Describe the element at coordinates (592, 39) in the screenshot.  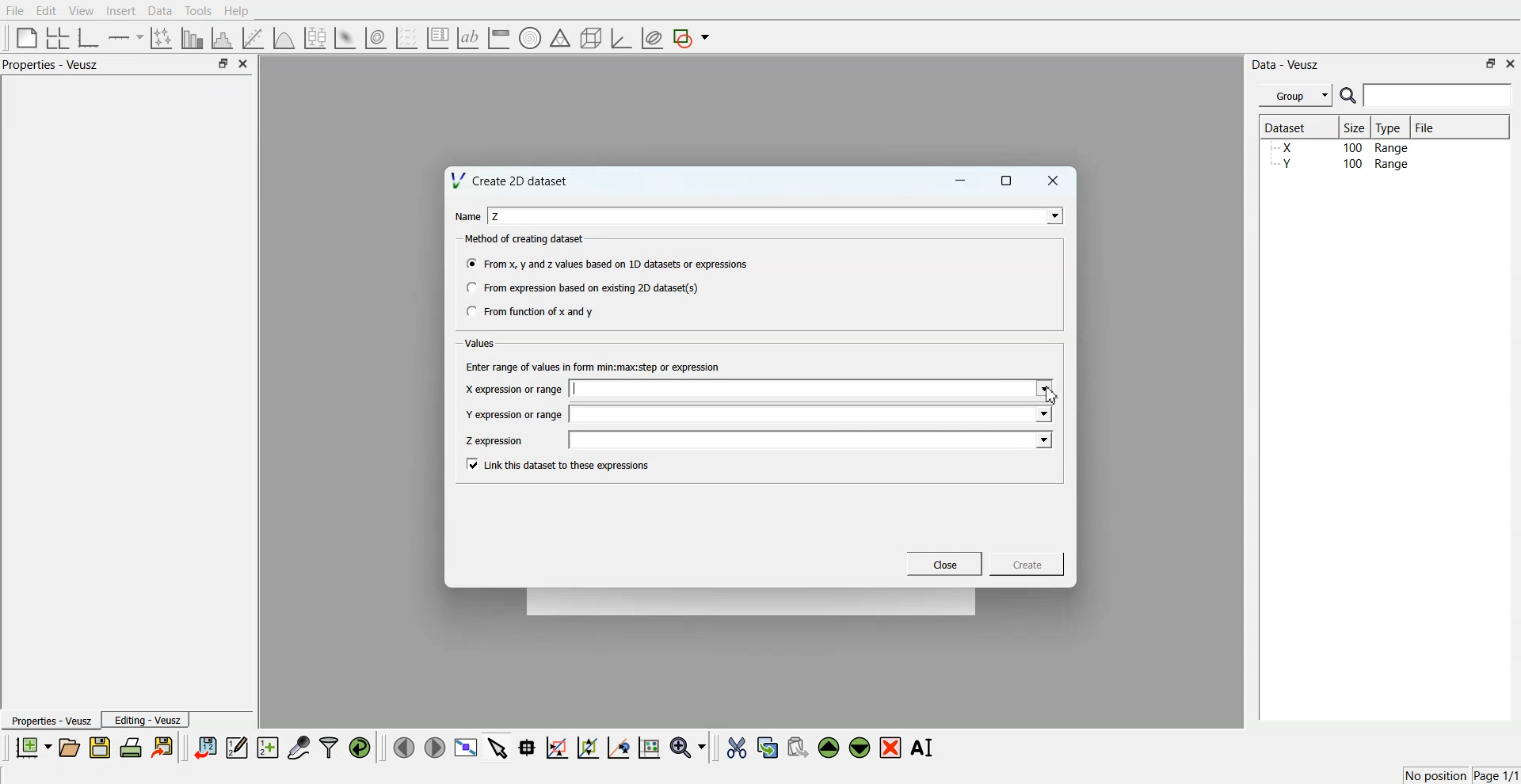
I see `3D Scene` at that location.